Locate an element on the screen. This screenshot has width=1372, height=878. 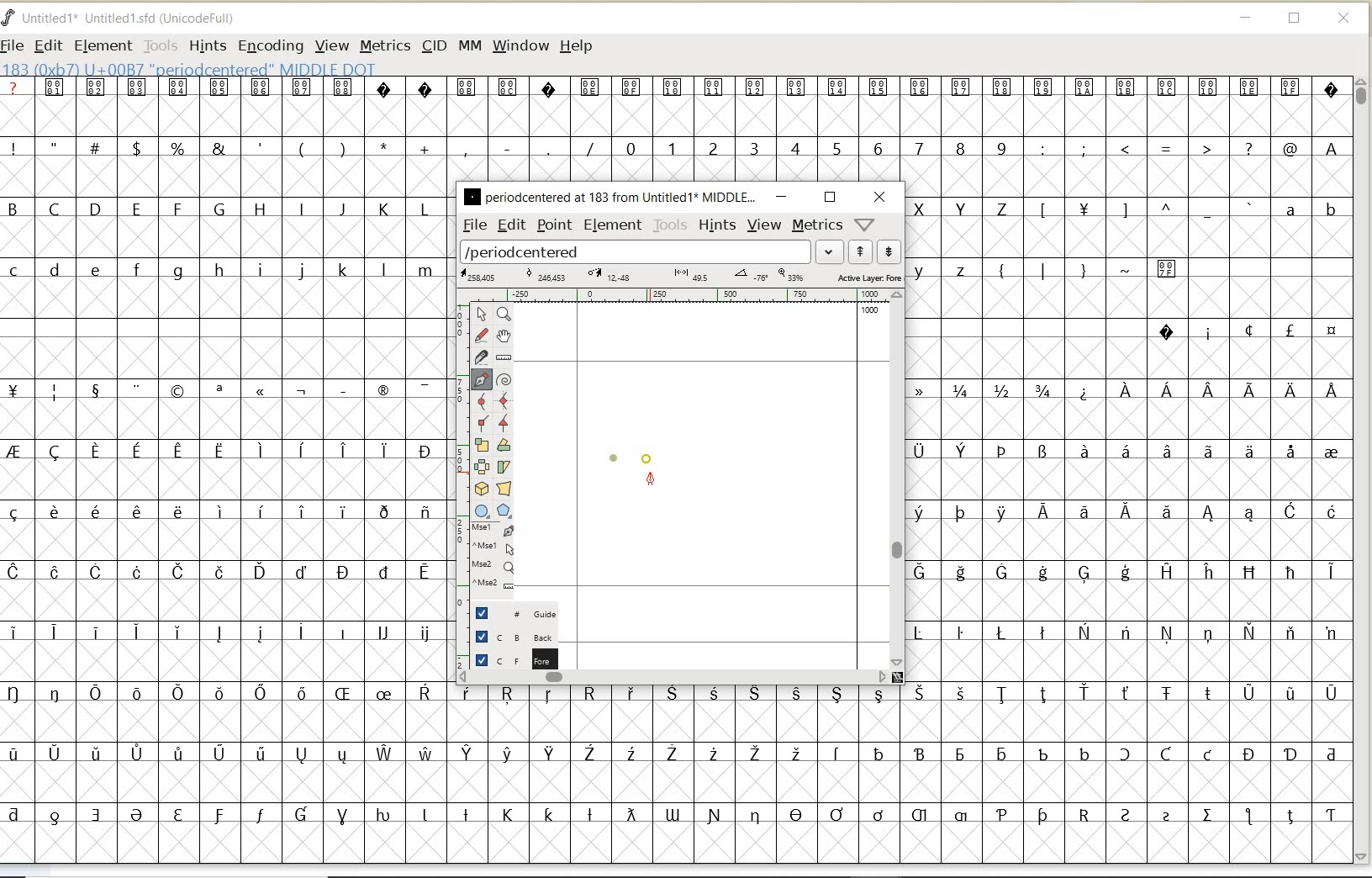
background is located at coordinates (509, 637).